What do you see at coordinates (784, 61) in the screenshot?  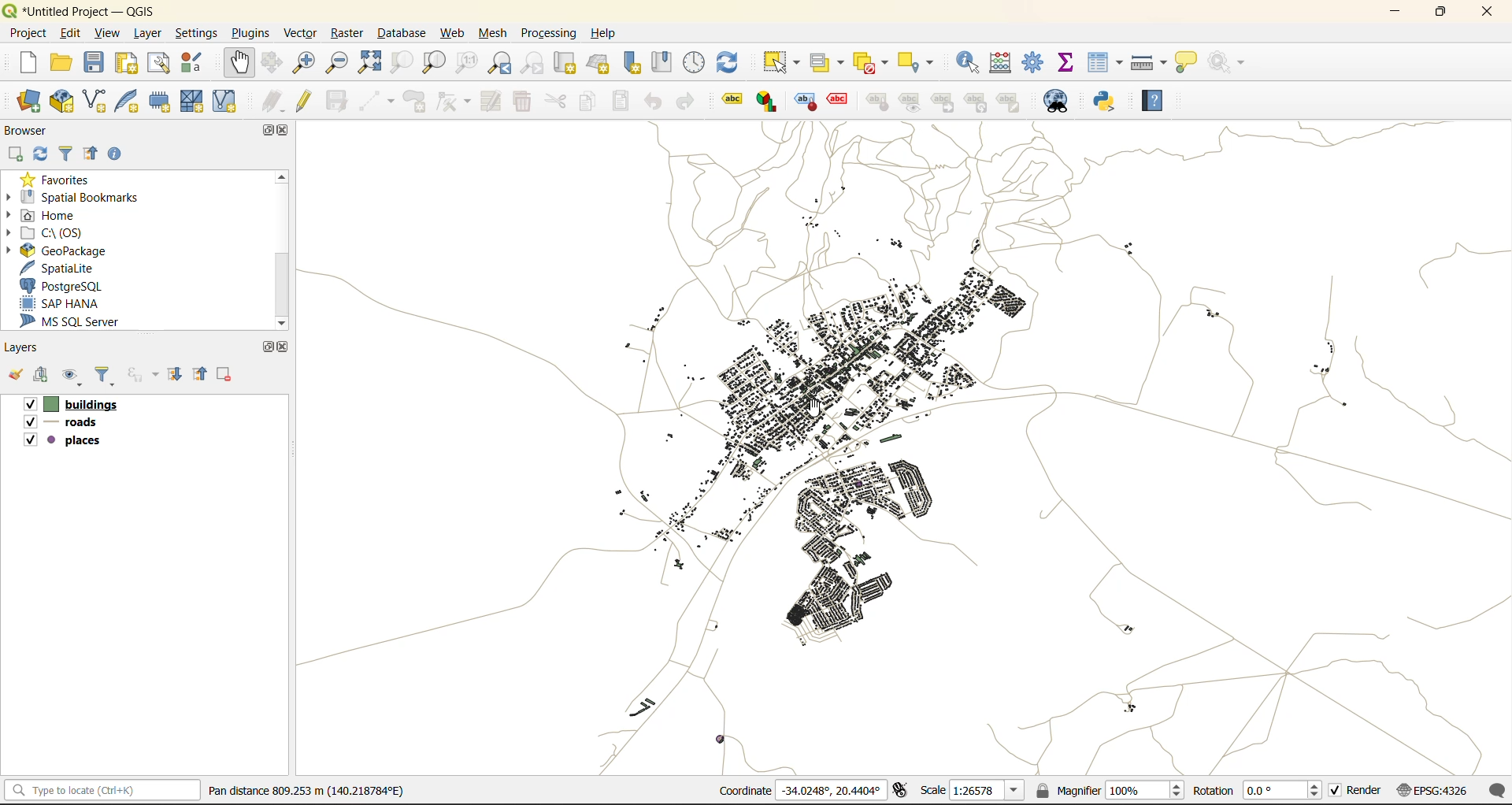 I see `select` at bounding box center [784, 61].